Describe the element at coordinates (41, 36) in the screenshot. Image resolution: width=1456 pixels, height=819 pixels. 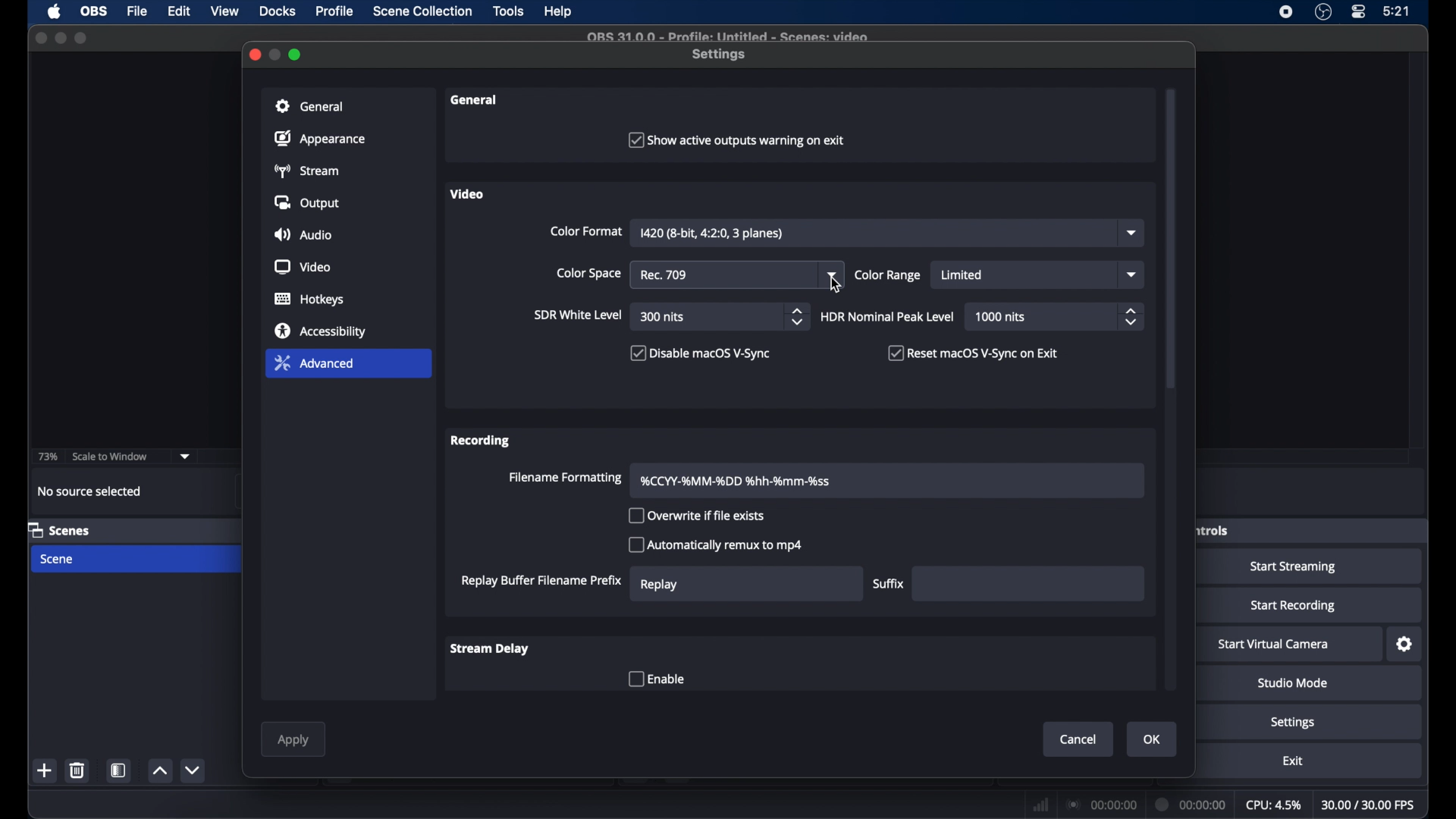
I see `close` at that location.